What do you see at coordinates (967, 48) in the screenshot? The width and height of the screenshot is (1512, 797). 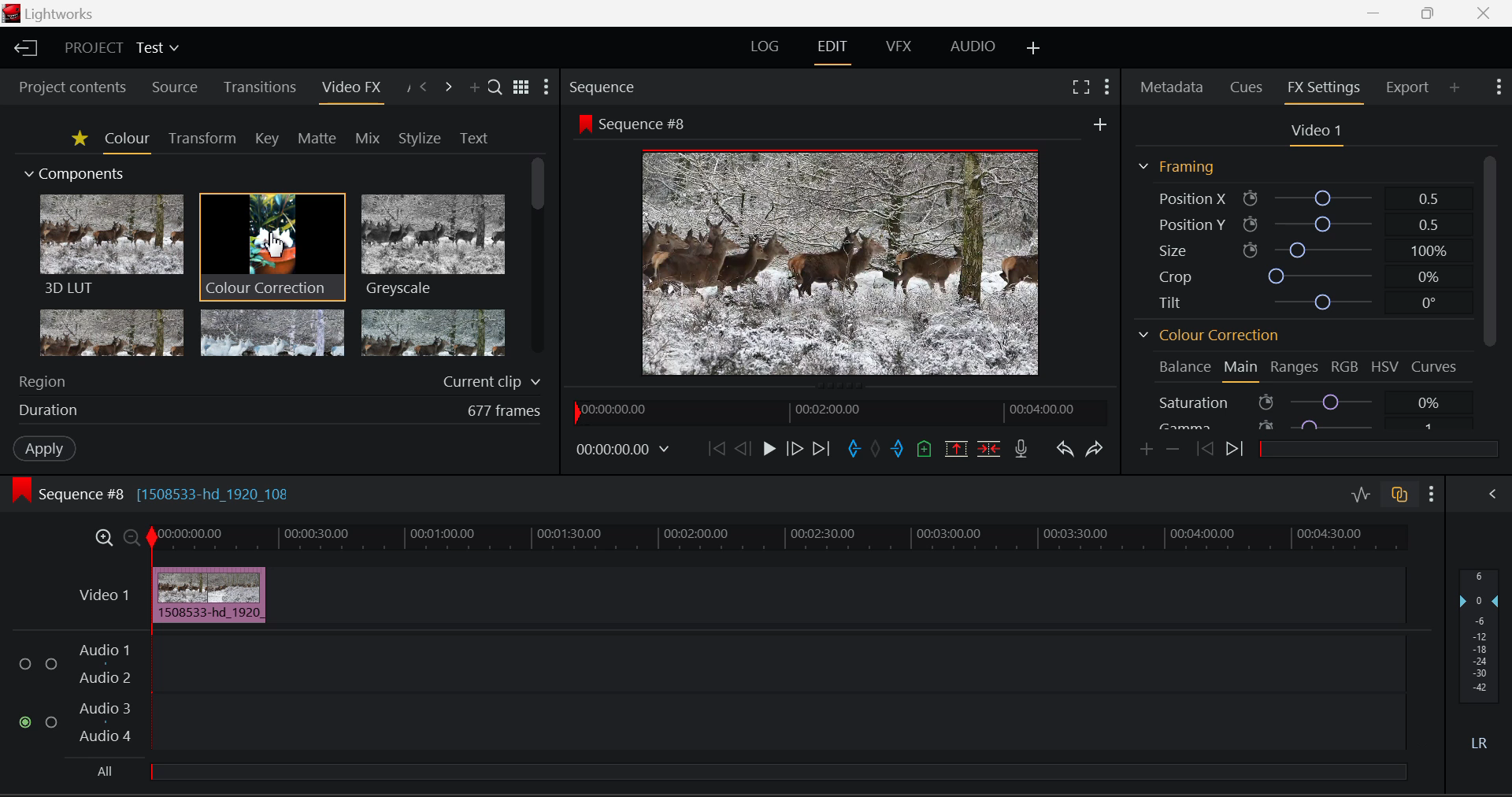 I see `AUDIO Layout` at bounding box center [967, 48].